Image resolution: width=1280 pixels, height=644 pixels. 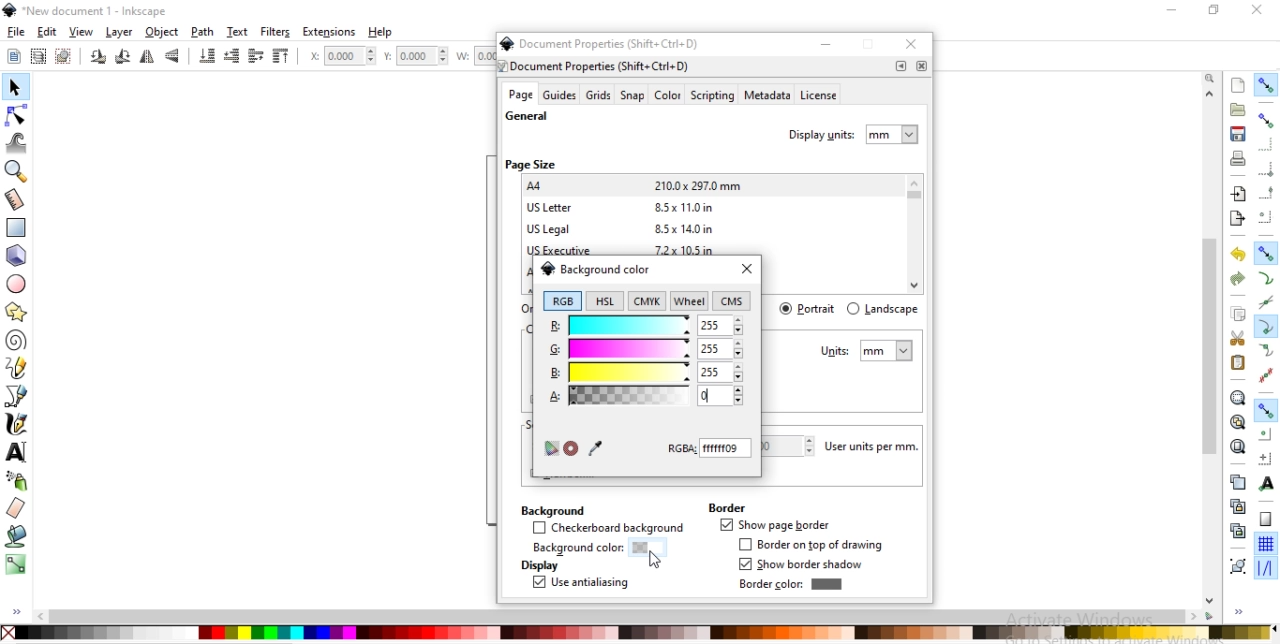 What do you see at coordinates (711, 96) in the screenshot?
I see `scripting` at bounding box center [711, 96].